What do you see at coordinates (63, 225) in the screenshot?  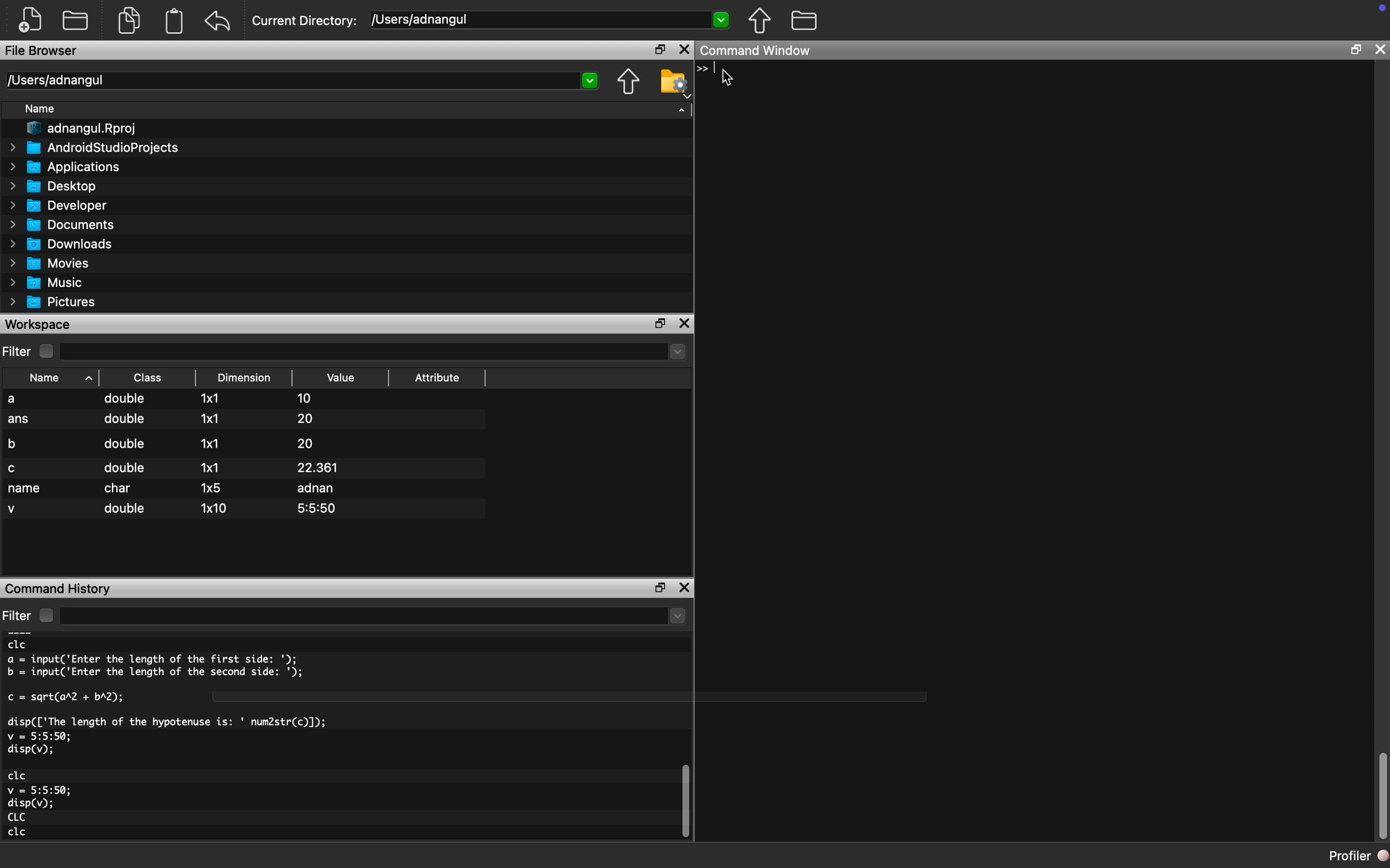 I see `> Documents` at bounding box center [63, 225].